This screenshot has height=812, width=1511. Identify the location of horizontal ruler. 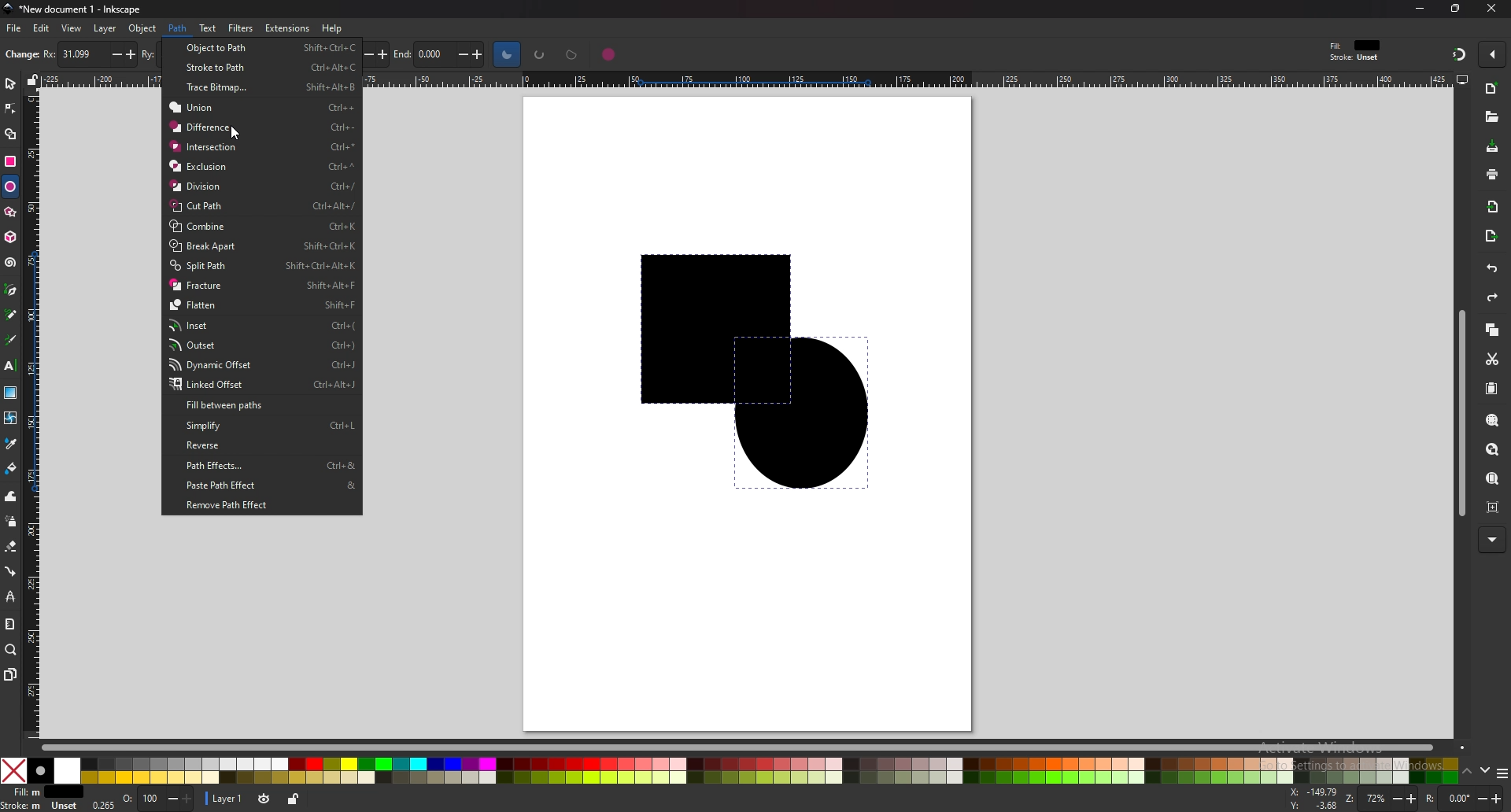
(903, 79).